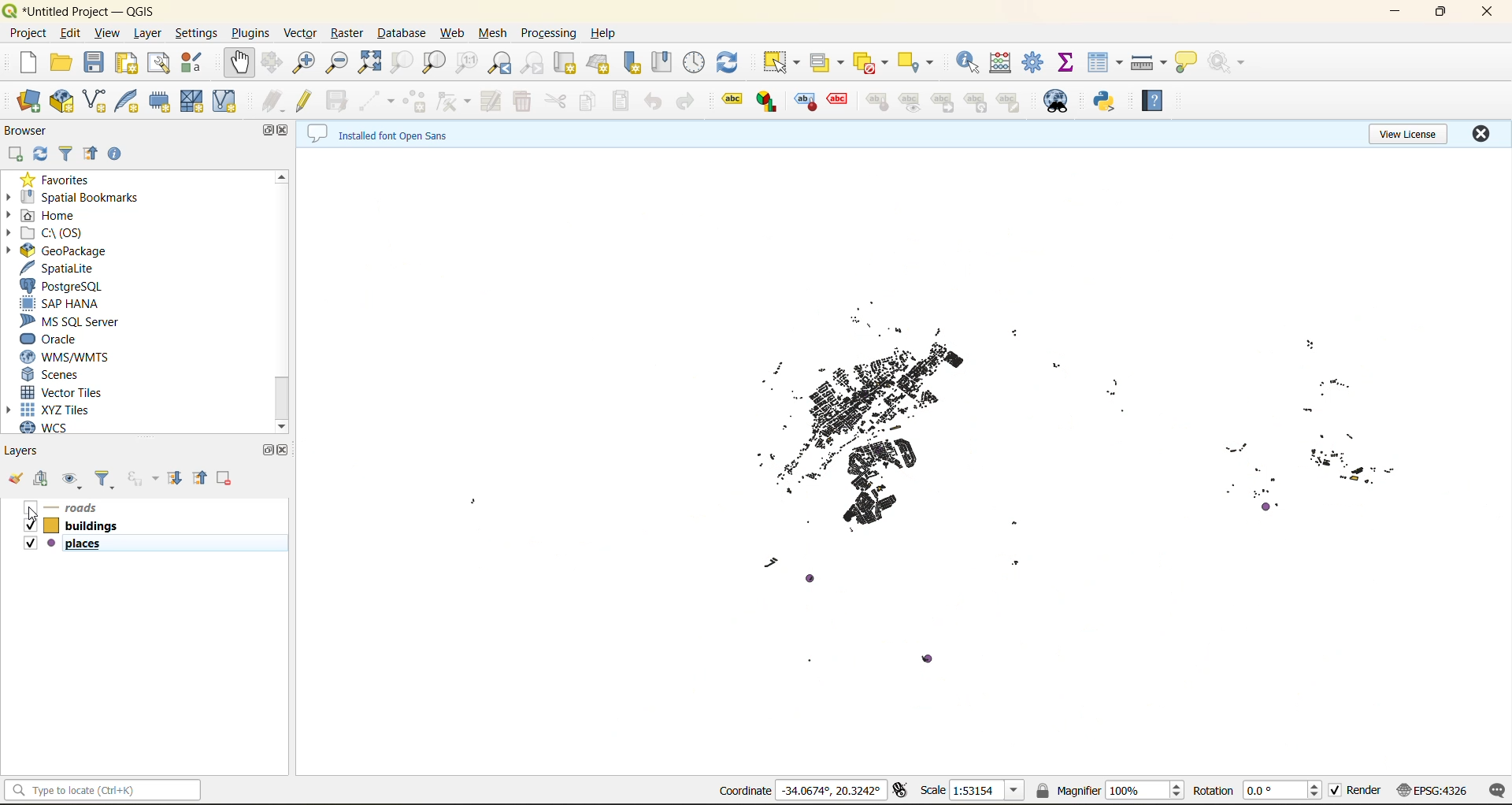 The width and height of the screenshot is (1512, 805). What do you see at coordinates (1005, 63) in the screenshot?
I see `open calculator` at bounding box center [1005, 63].